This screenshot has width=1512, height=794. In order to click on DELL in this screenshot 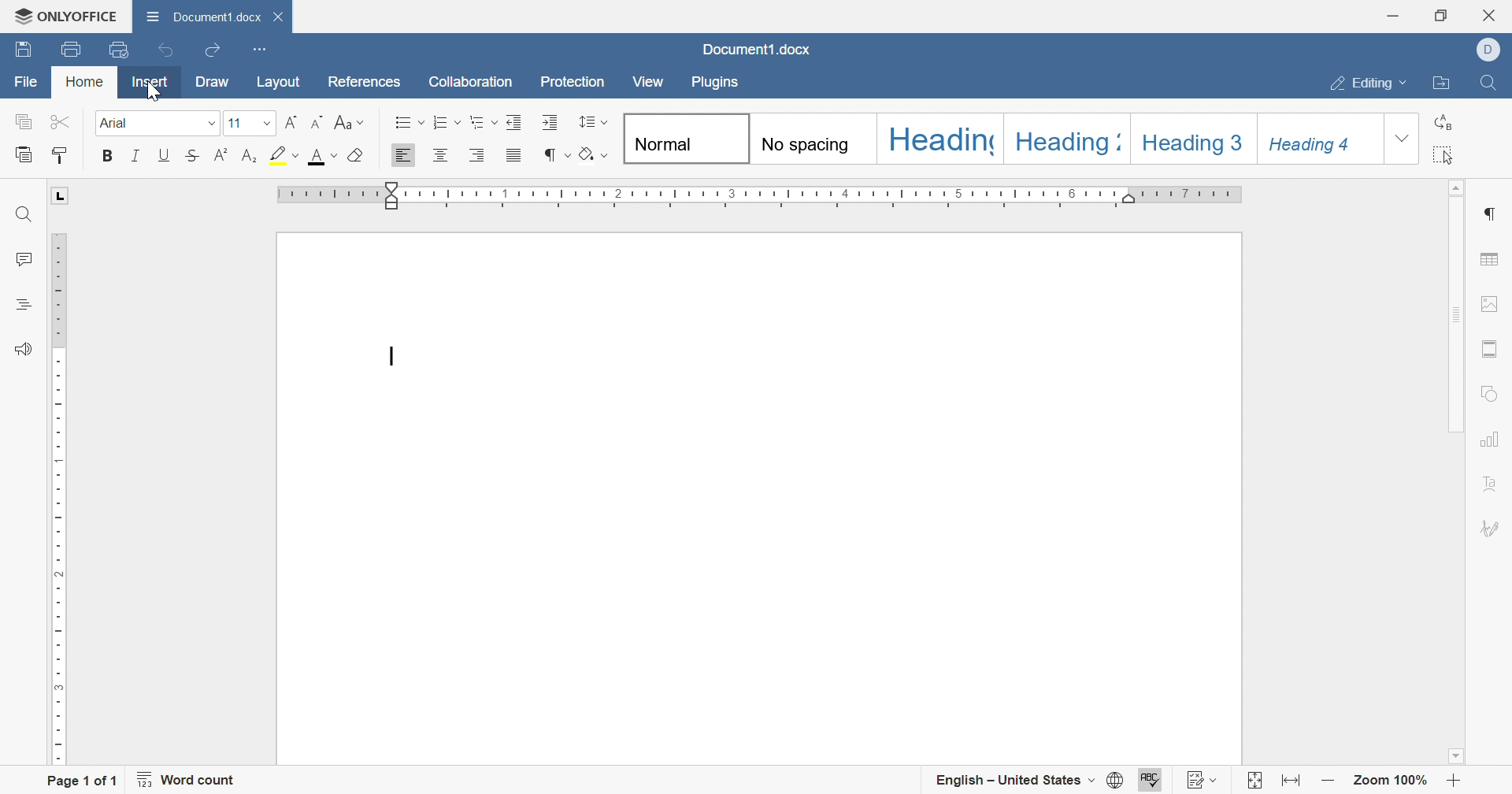, I will do `click(1489, 50)`.